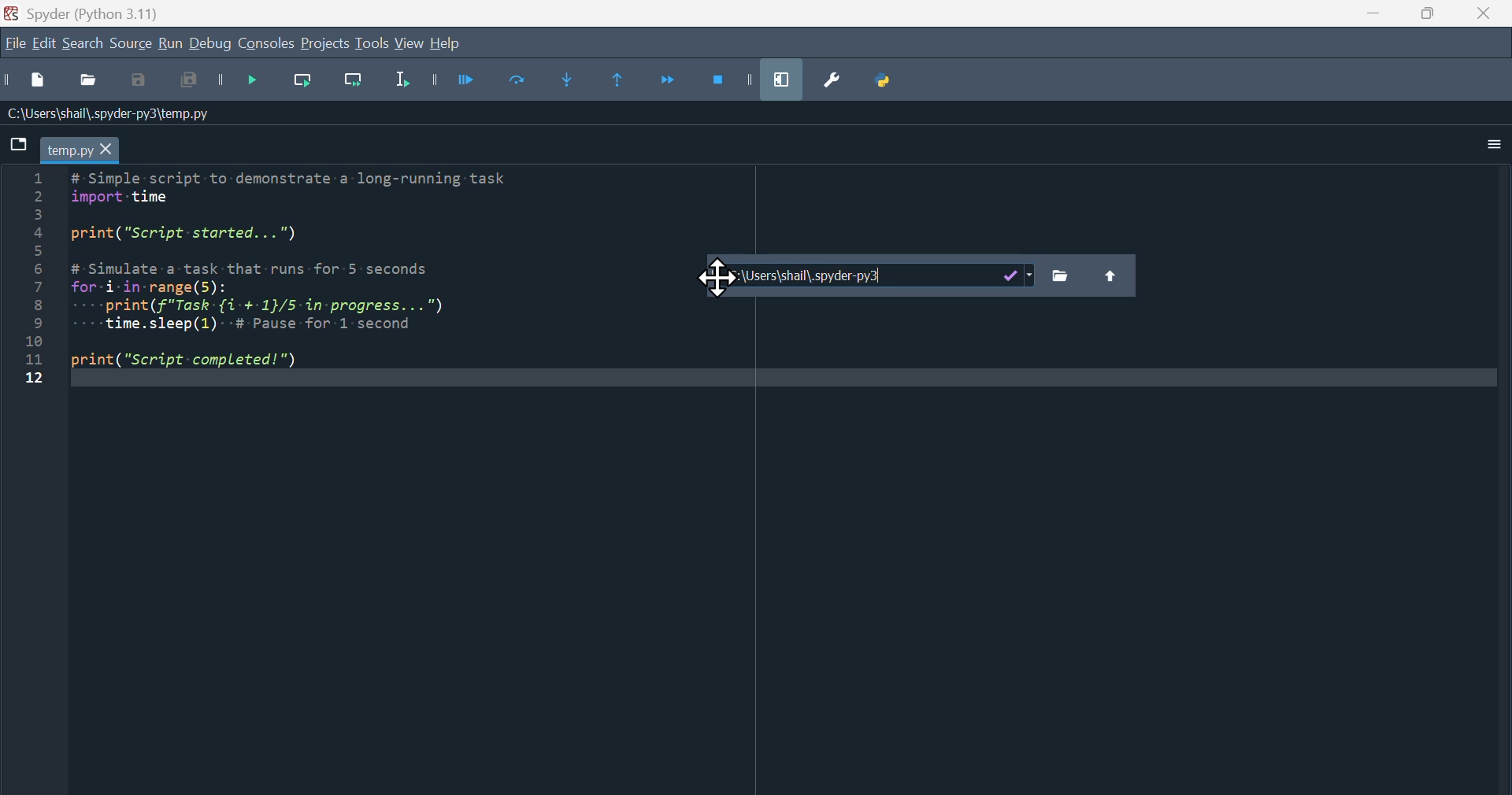 The width and height of the screenshot is (1512, 795). I want to click on Maximise current window, so click(786, 79).